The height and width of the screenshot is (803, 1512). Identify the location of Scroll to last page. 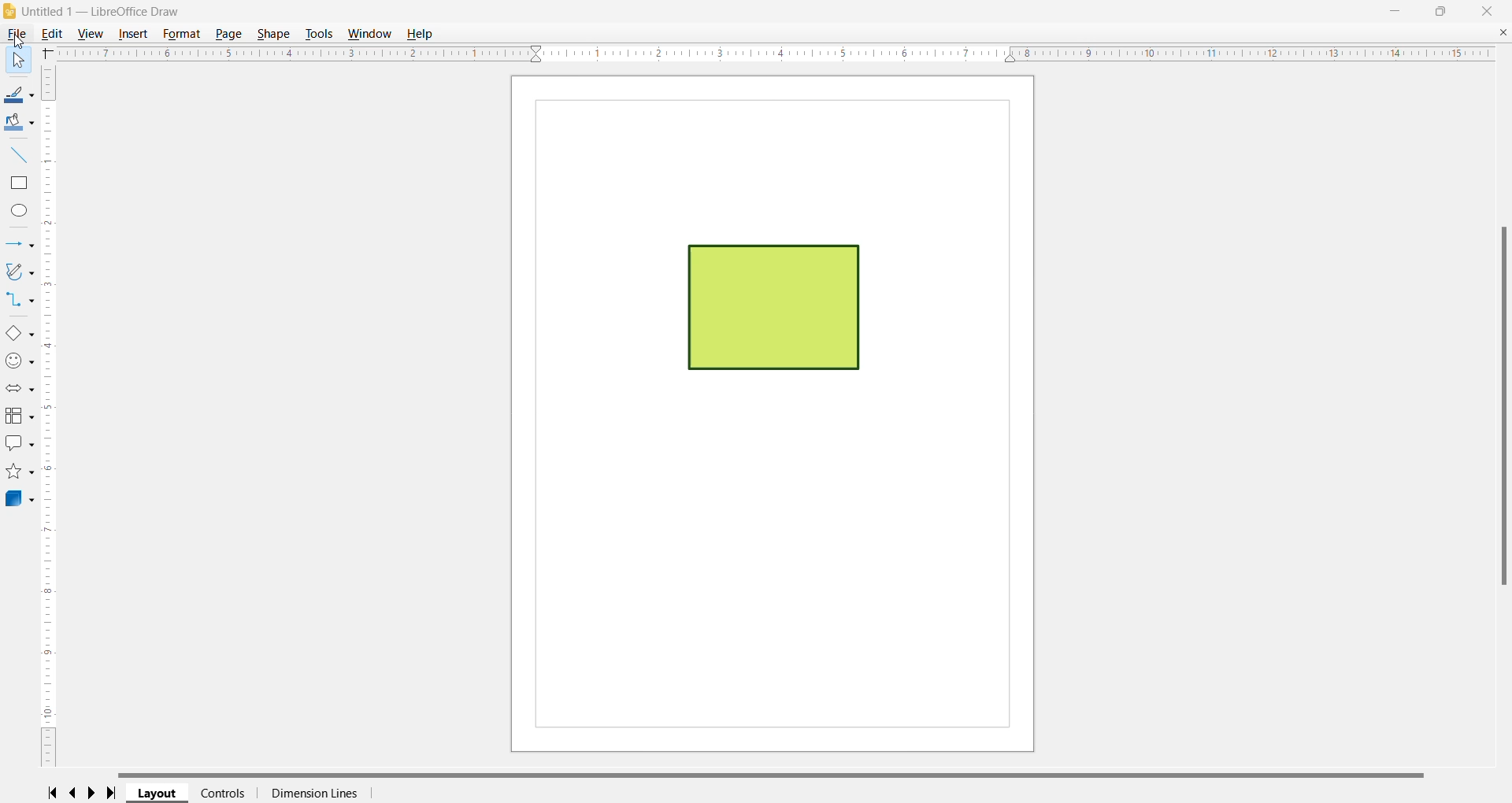
(116, 794).